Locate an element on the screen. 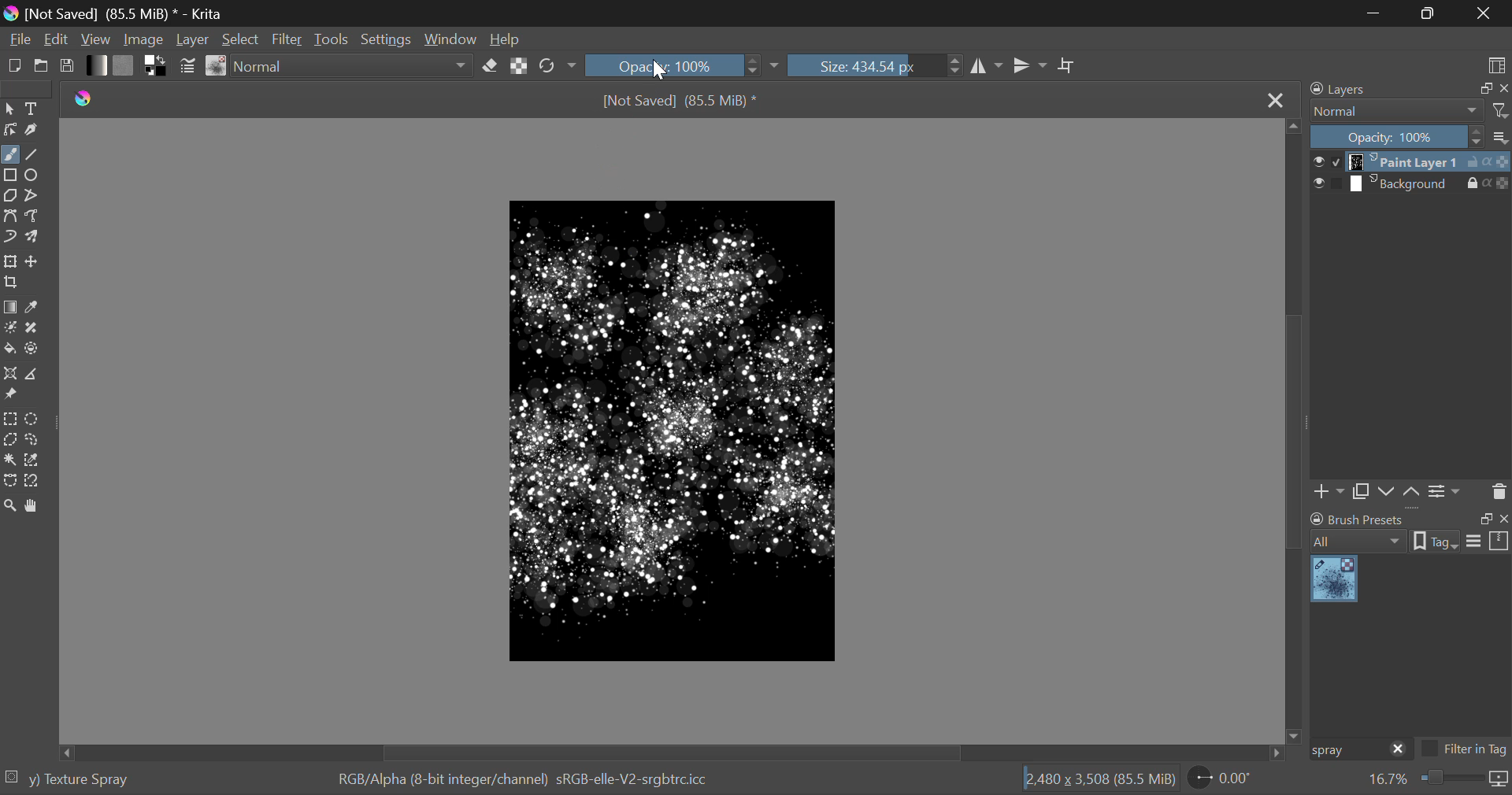  Brush Preset Search: "spray" is located at coordinates (1346, 750).